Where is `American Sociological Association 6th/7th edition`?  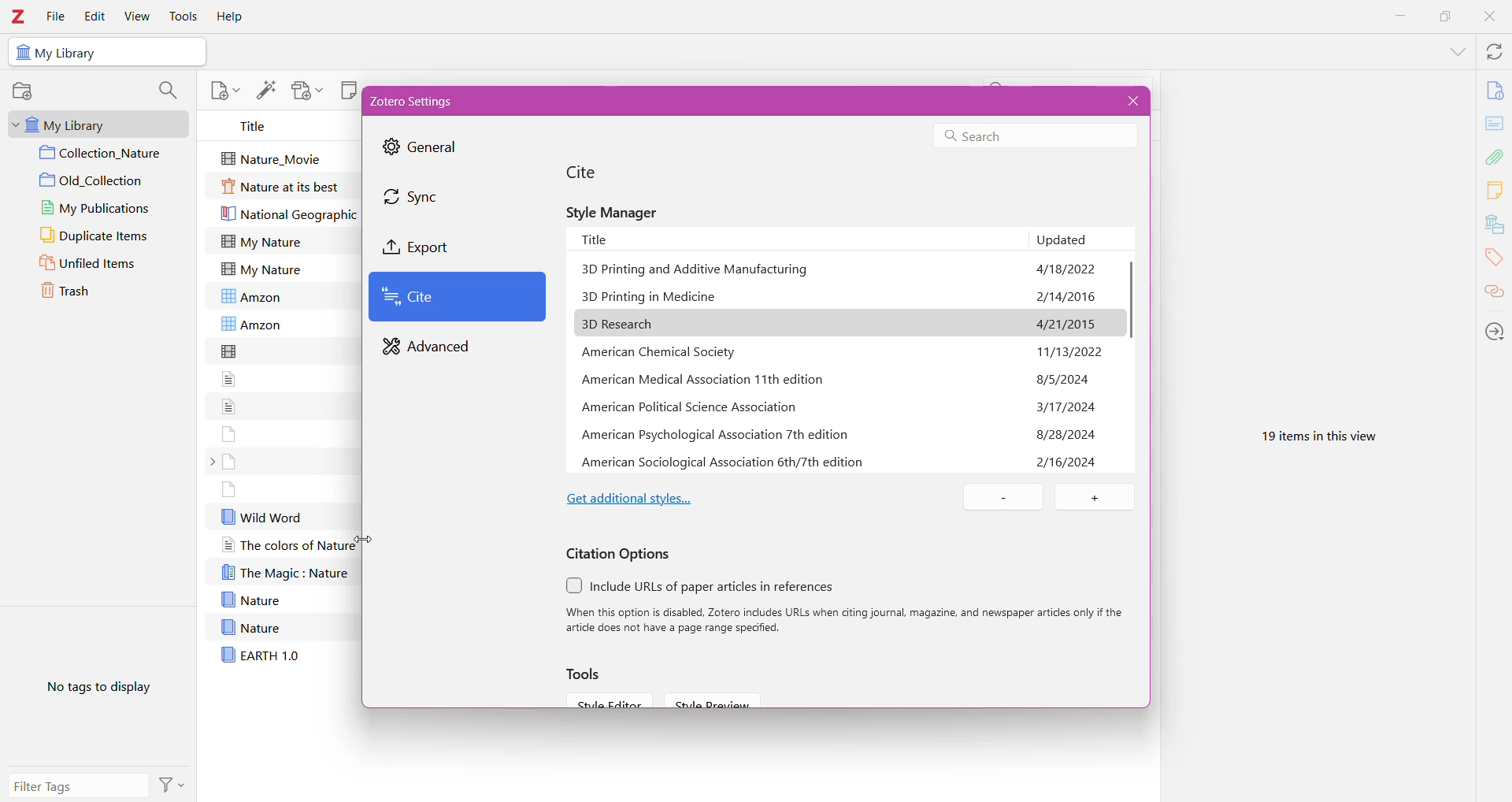 American Sociological Association 6th/7th edition is located at coordinates (724, 461).